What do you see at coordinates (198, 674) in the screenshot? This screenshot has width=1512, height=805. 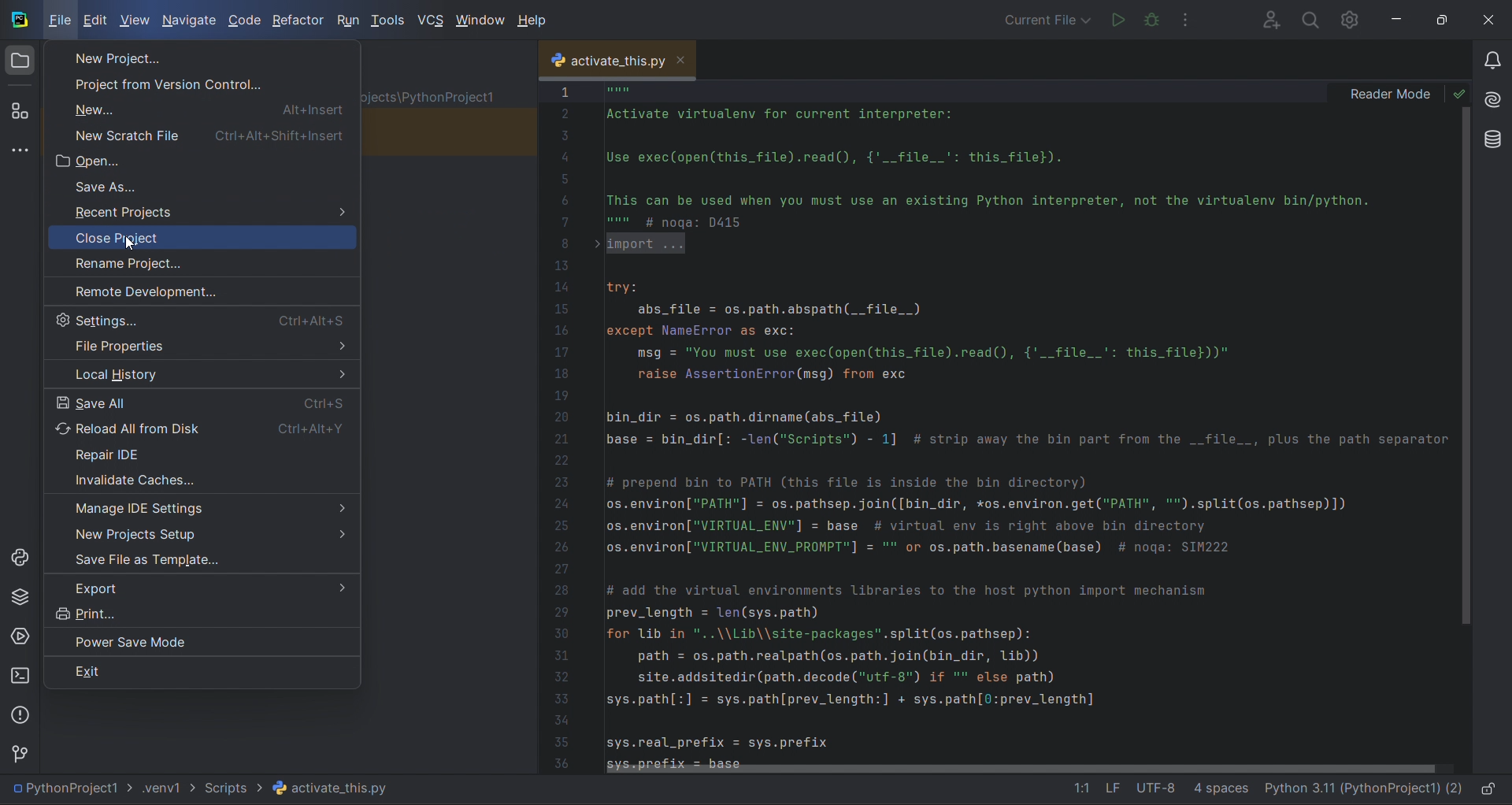 I see `exit` at bounding box center [198, 674].